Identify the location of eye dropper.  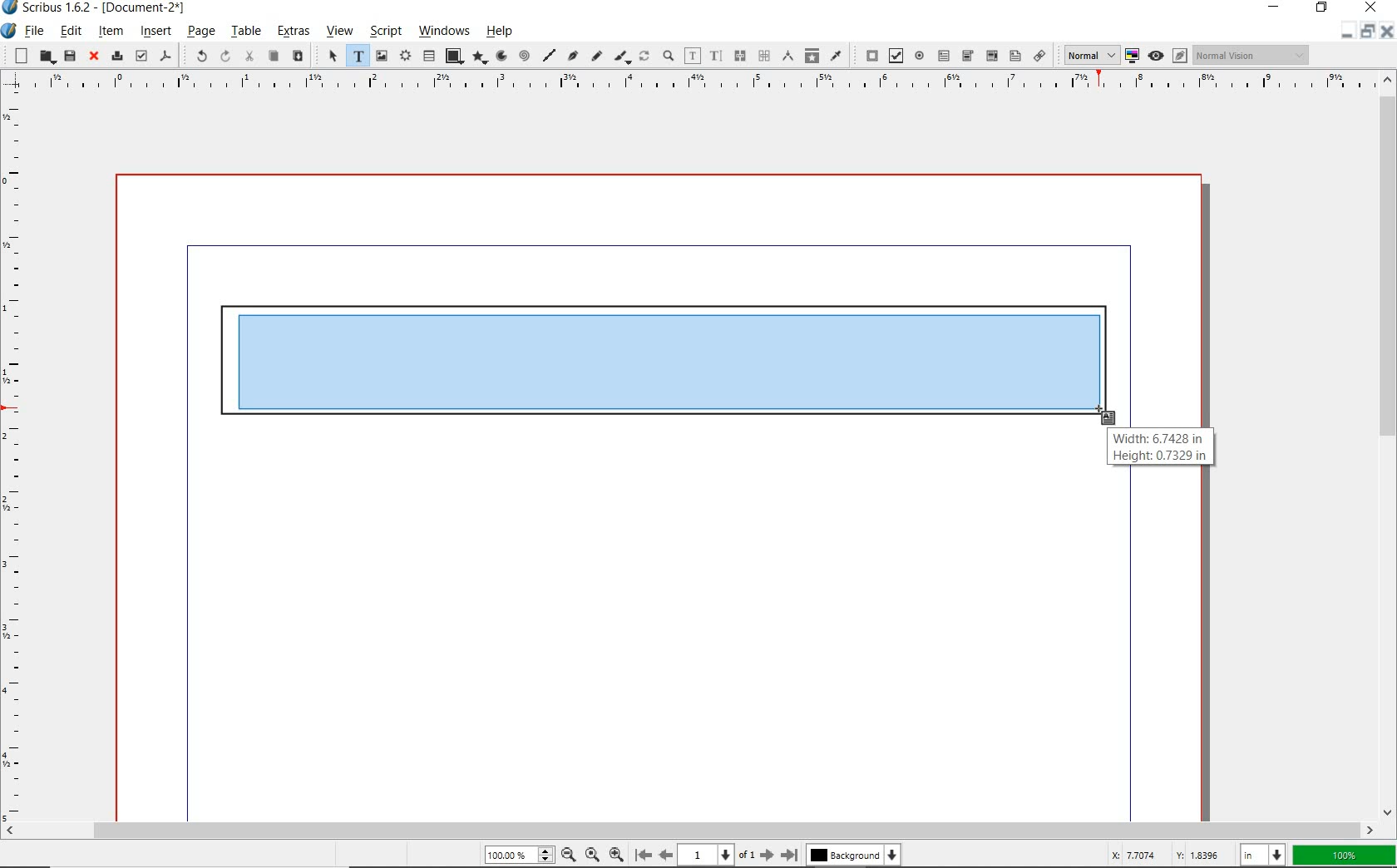
(836, 57).